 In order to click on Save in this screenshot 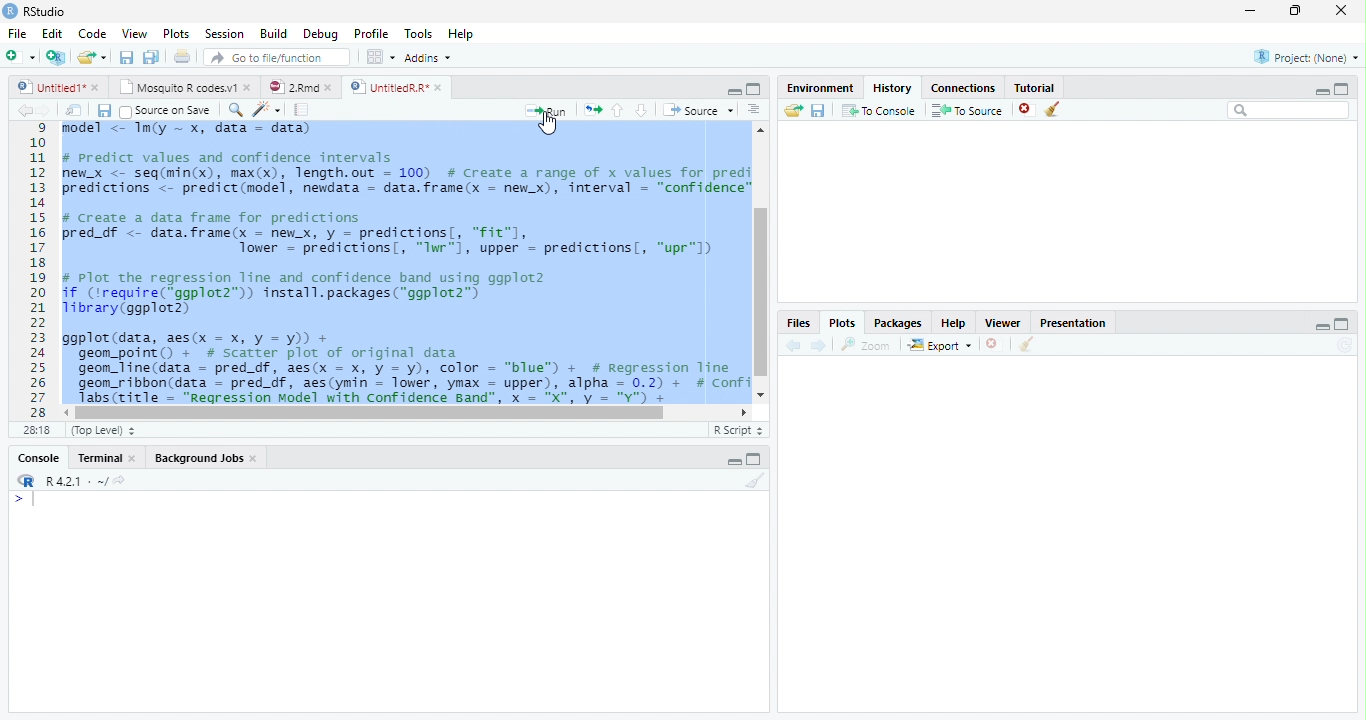, I will do `click(818, 113)`.